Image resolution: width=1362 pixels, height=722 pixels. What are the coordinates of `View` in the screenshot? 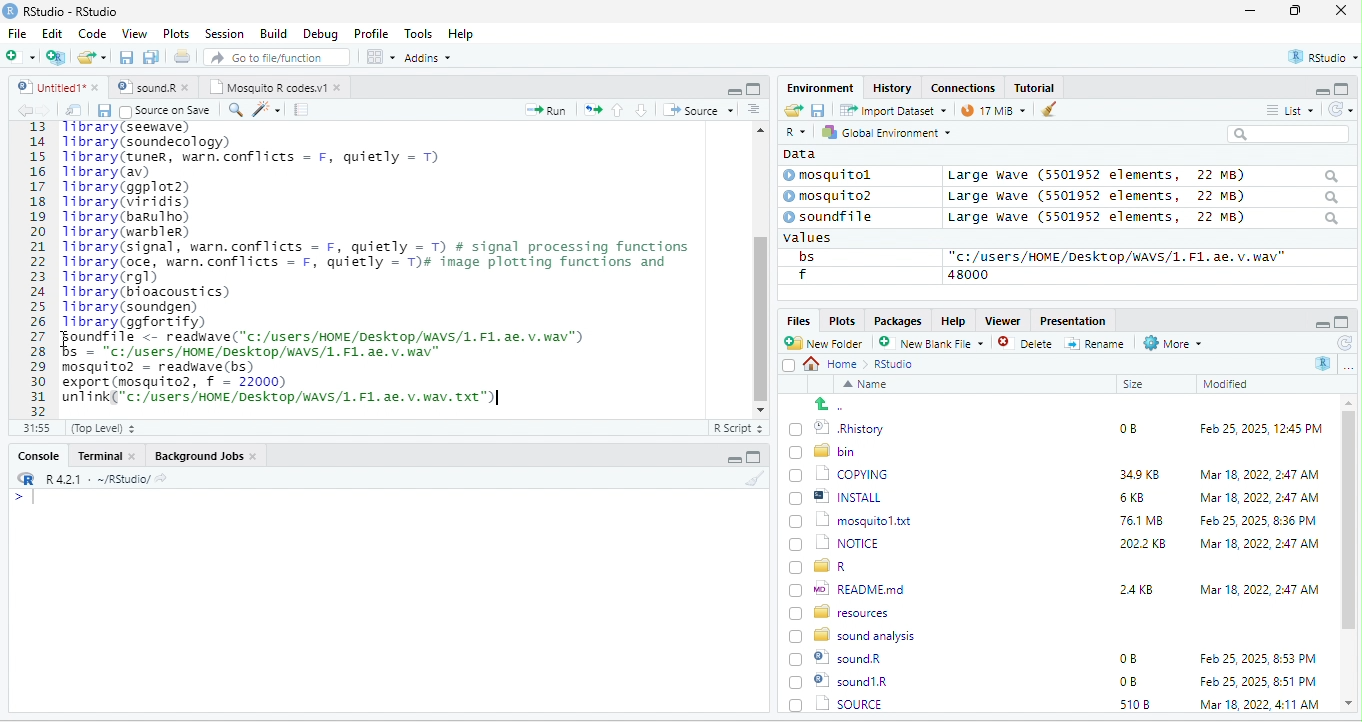 It's located at (133, 35).